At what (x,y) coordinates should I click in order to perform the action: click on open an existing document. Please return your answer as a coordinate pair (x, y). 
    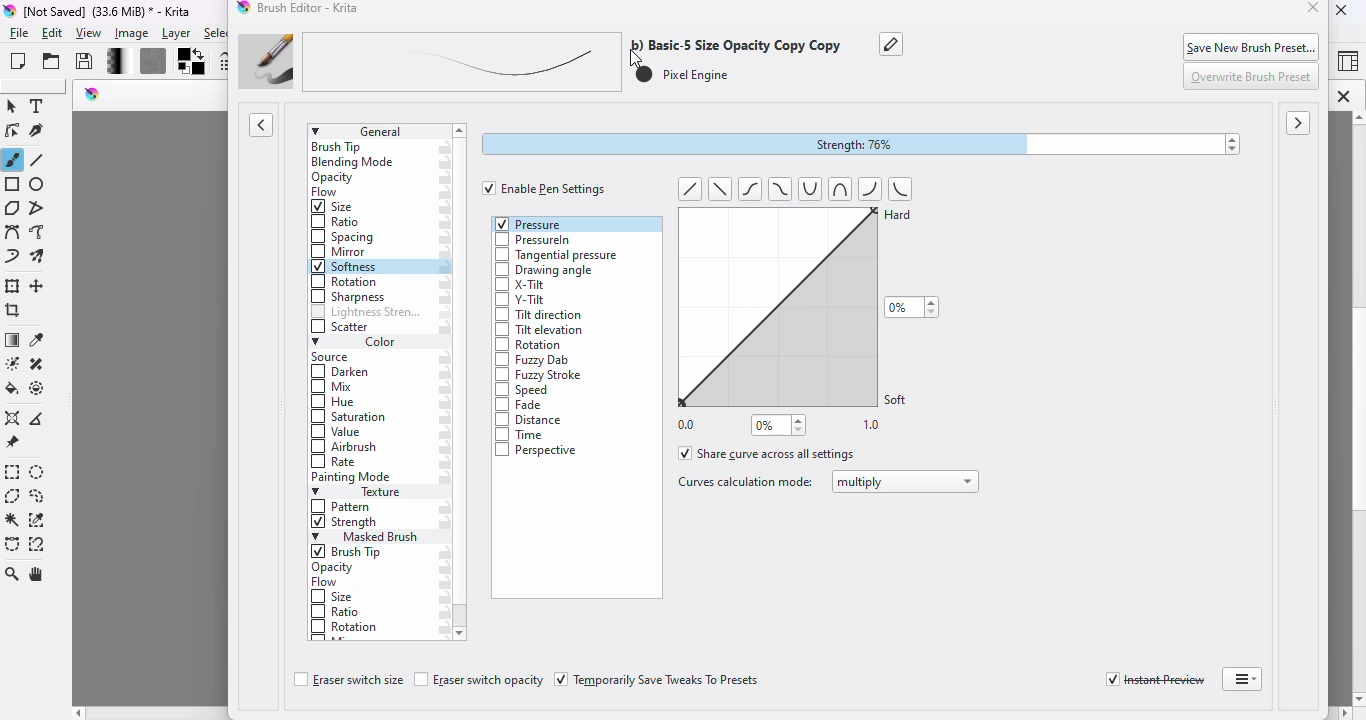
    Looking at the image, I should click on (52, 61).